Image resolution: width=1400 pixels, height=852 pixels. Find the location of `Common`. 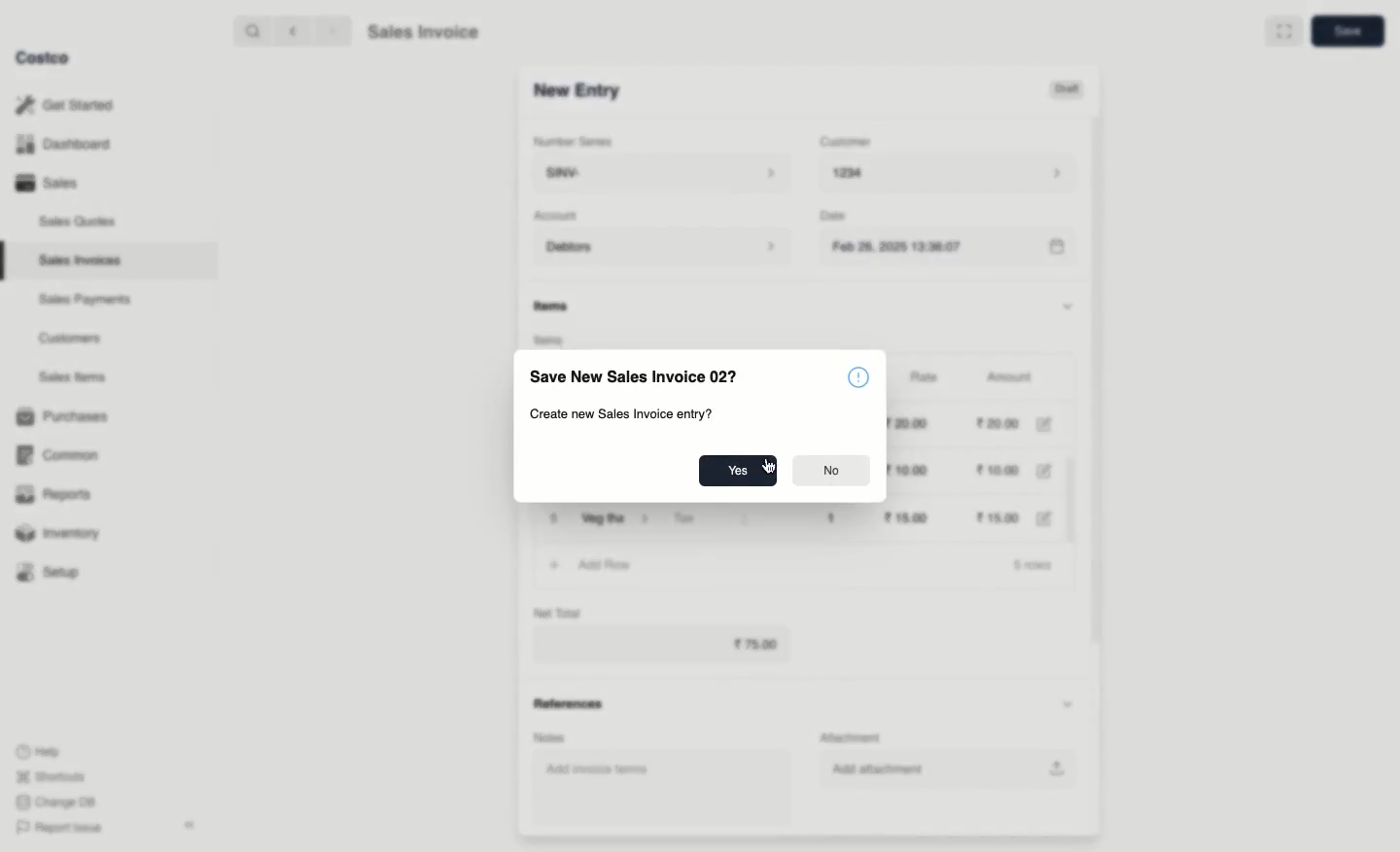

Common is located at coordinates (66, 455).